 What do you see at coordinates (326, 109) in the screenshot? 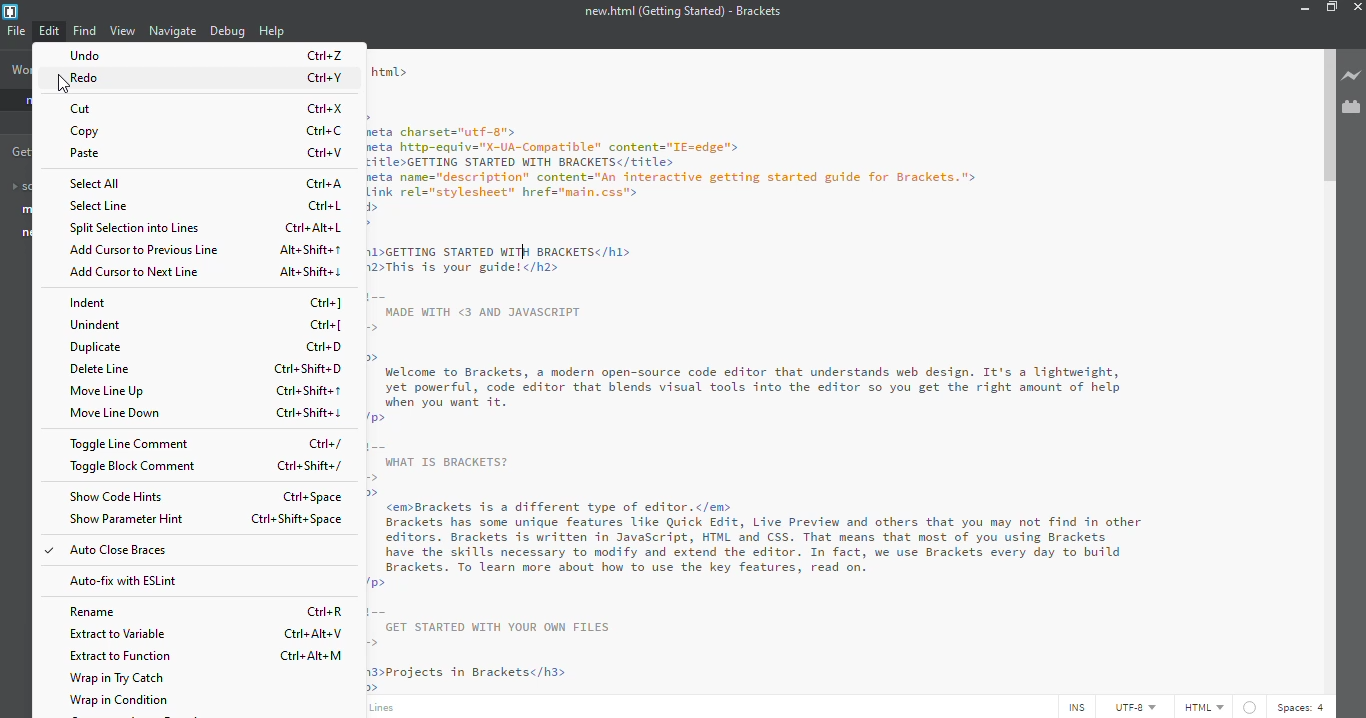
I see `ctrl+x` at bounding box center [326, 109].